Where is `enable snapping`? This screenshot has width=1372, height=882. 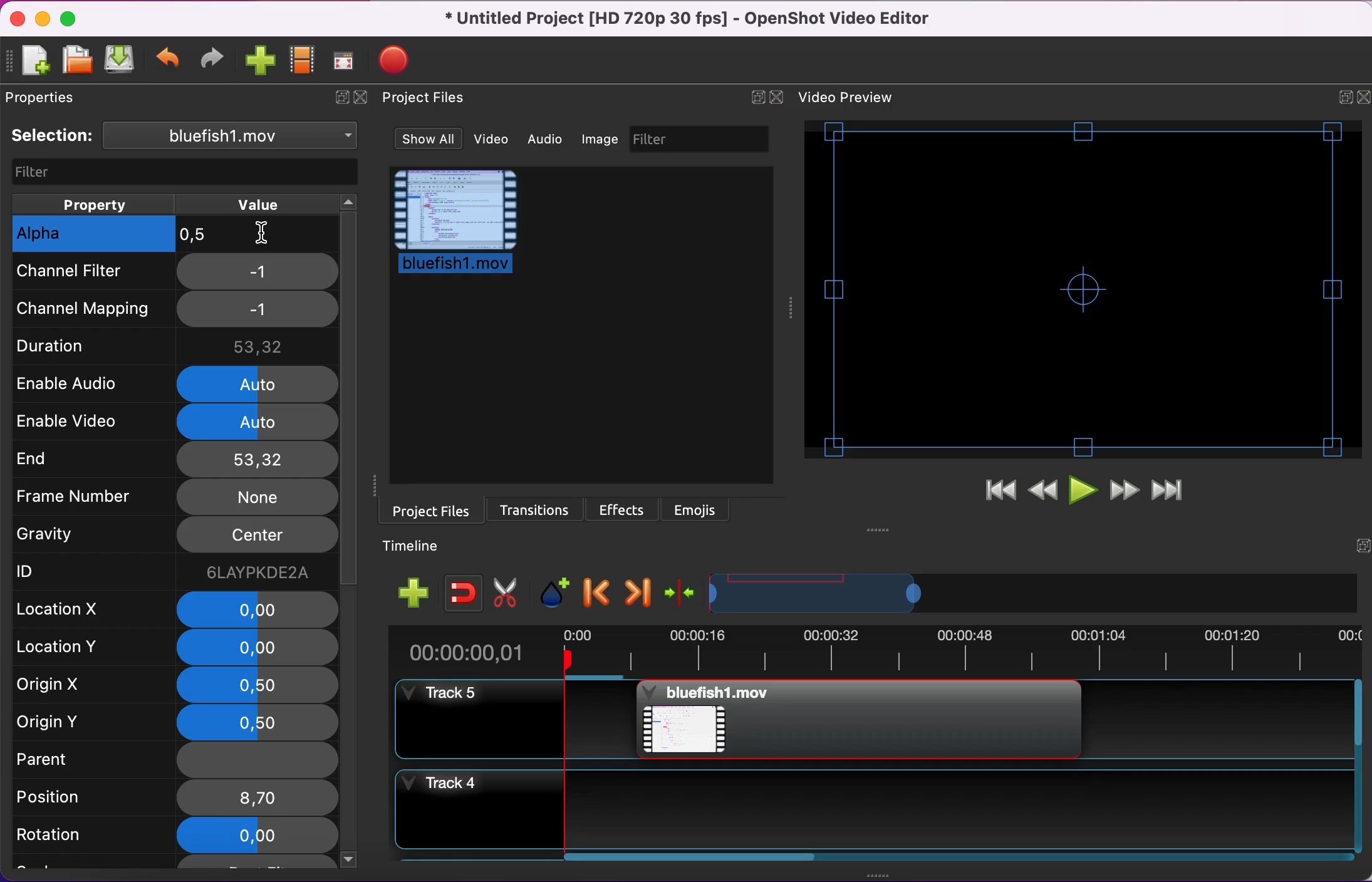 enable snapping is located at coordinates (467, 592).